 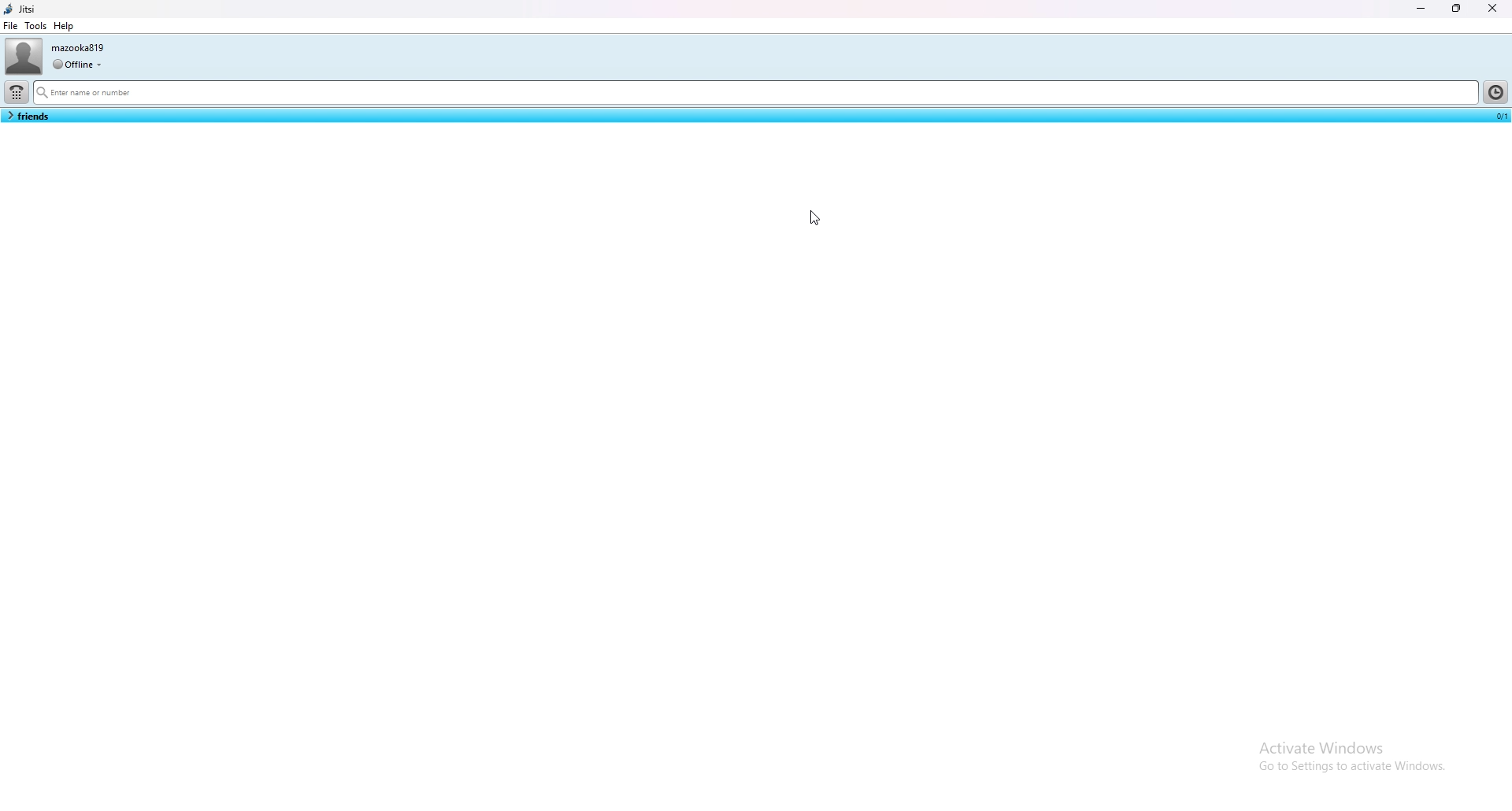 I want to click on user photo, so click(x=23, y=56).